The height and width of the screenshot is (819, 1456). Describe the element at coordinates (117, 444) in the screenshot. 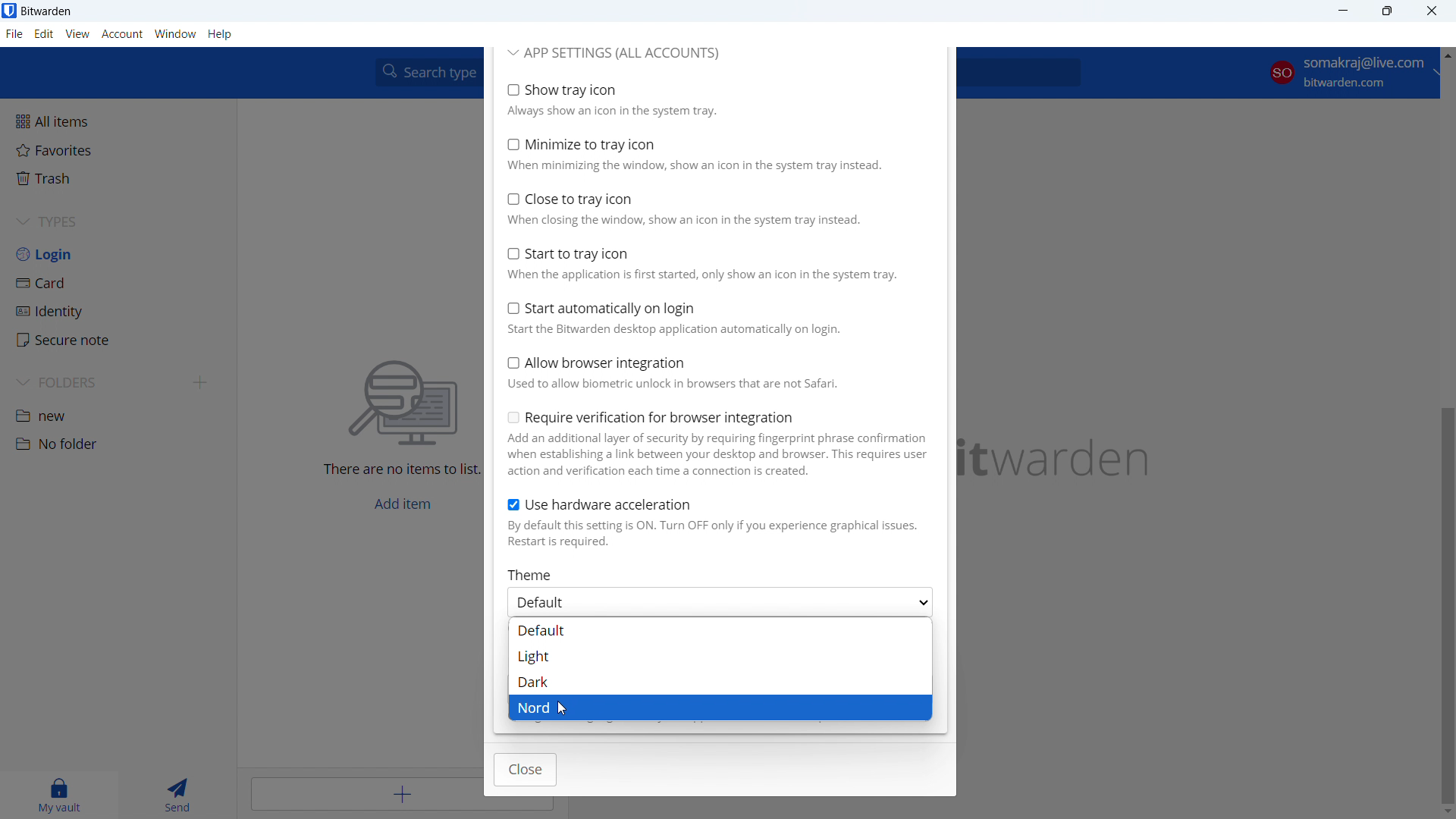

I see `folder 2` at that location.